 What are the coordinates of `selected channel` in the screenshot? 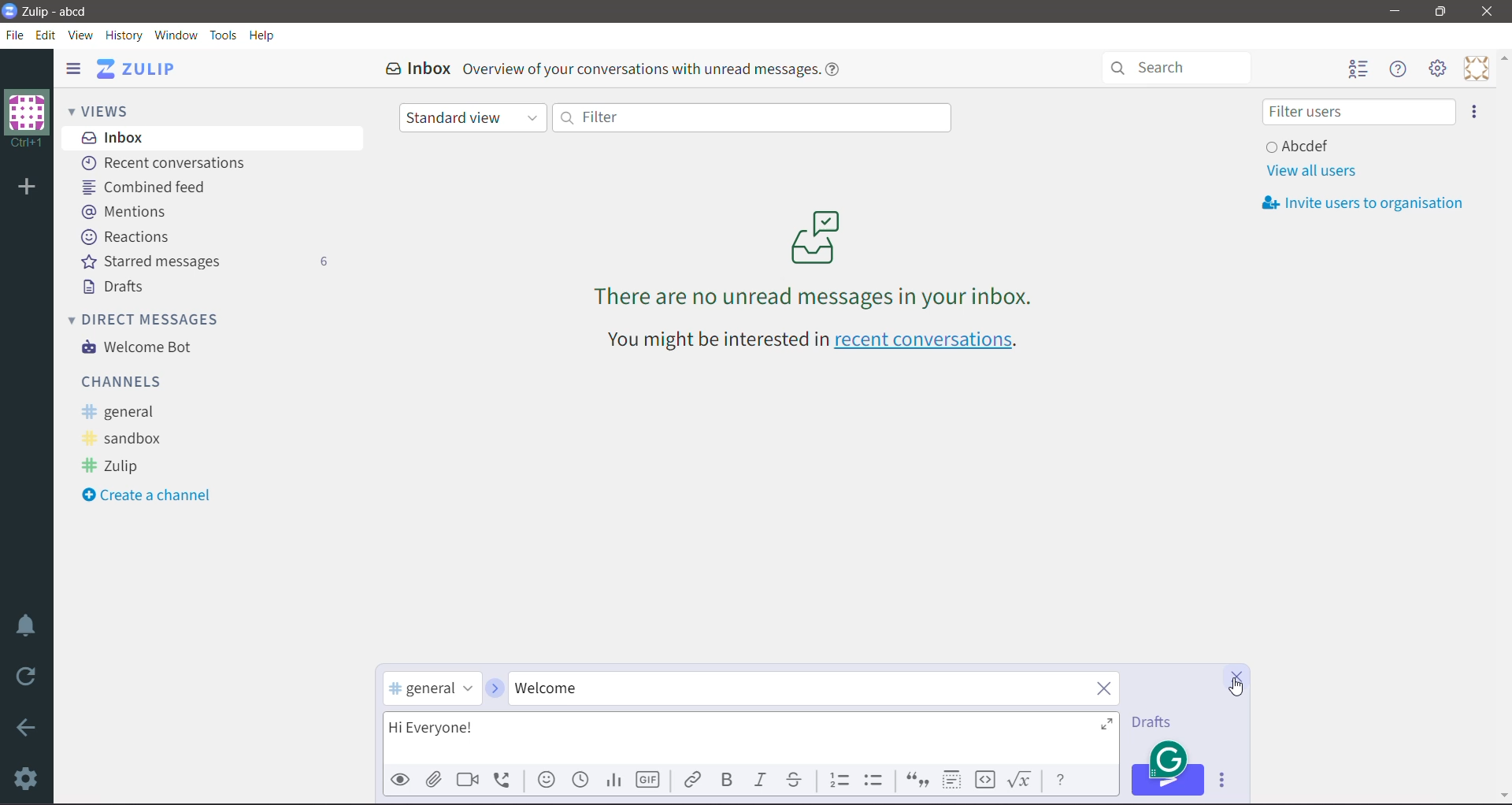 It's located at (433, 689).